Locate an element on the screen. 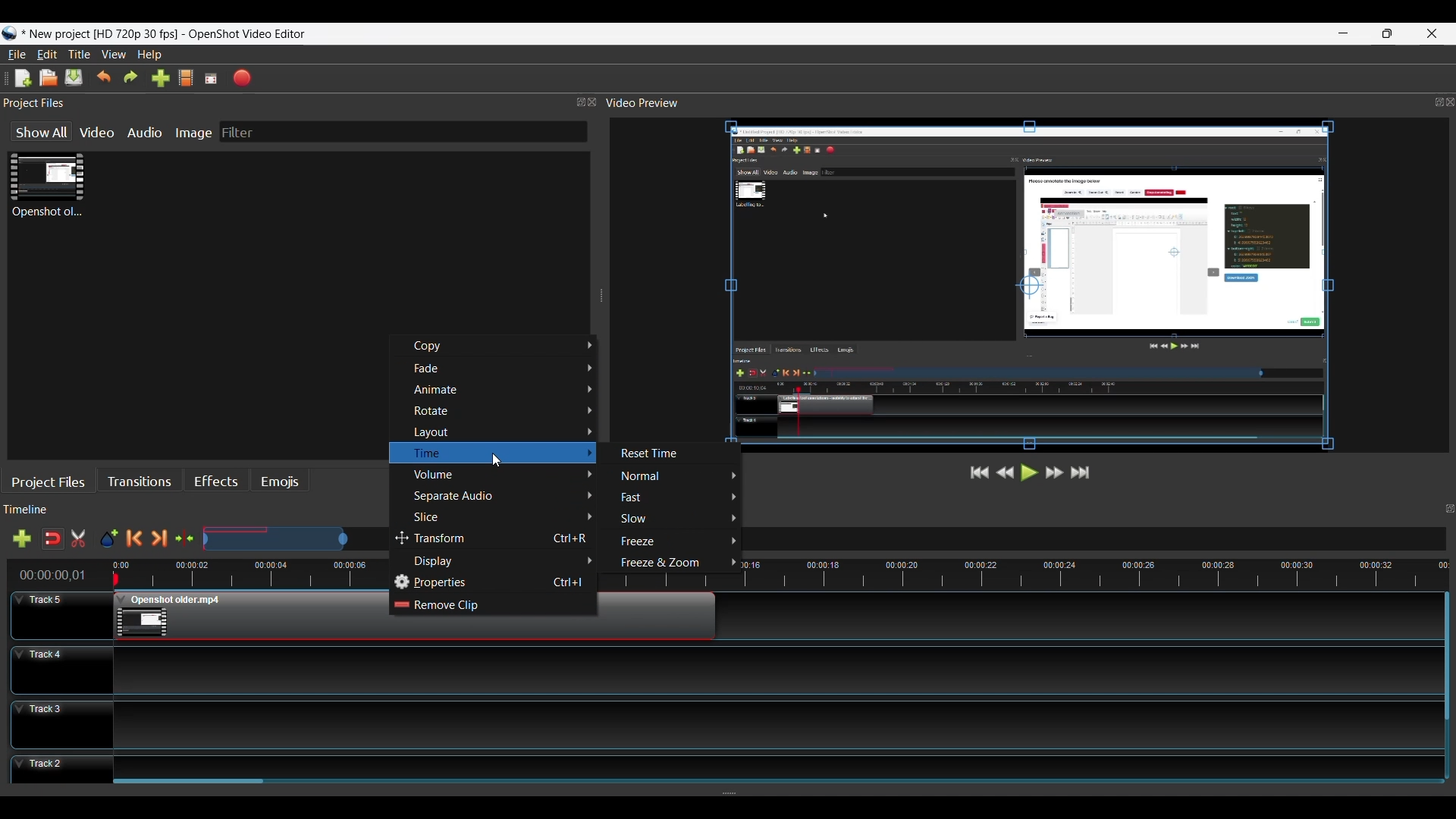  Video is located at coordinates (98, 133).